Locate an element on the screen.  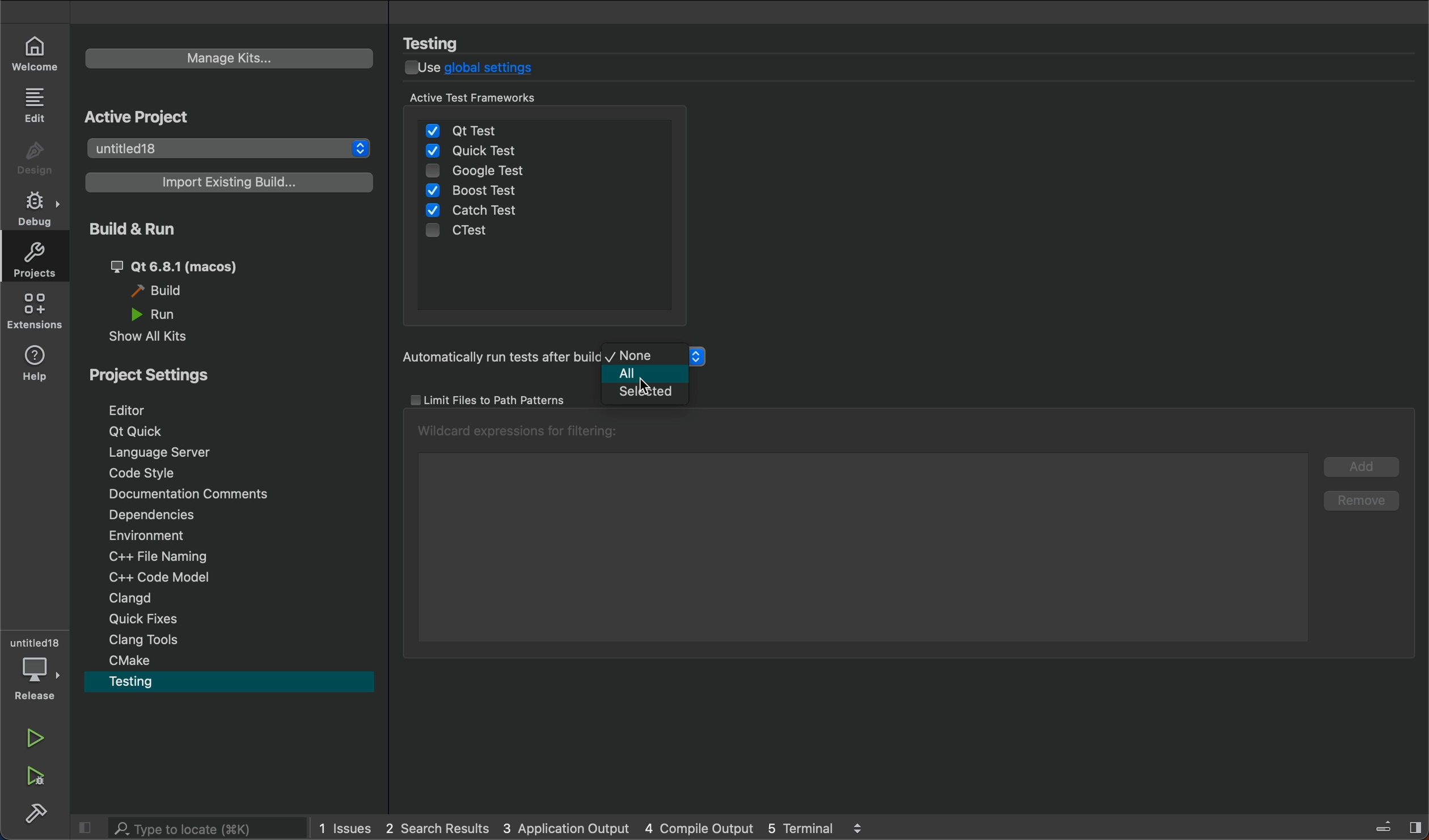
remove is located at coordinates (1362, 499).